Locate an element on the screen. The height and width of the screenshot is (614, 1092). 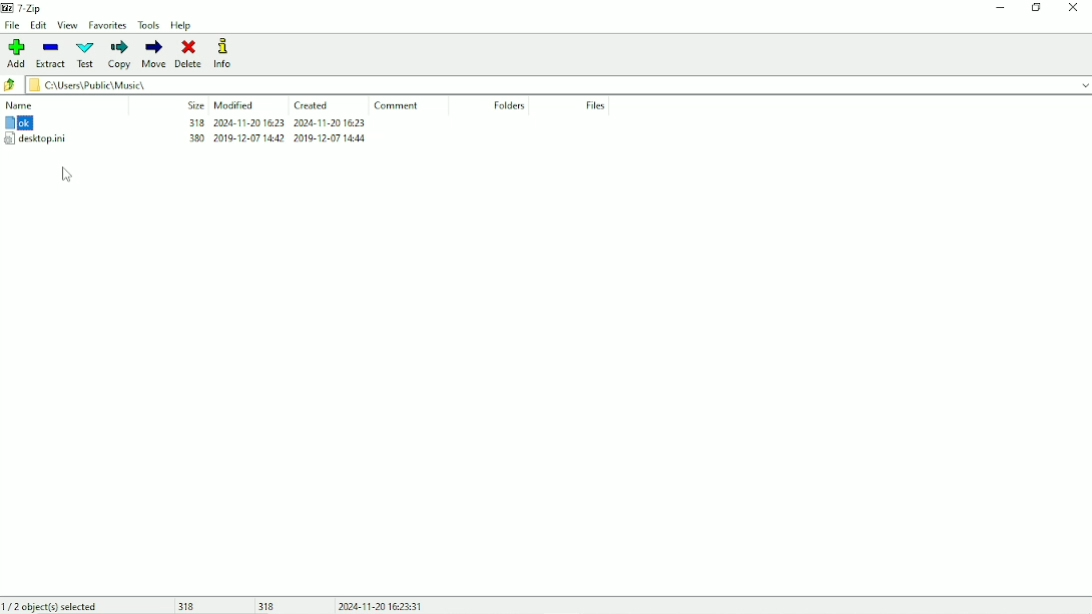
Back is located at coordinates (11, 85).